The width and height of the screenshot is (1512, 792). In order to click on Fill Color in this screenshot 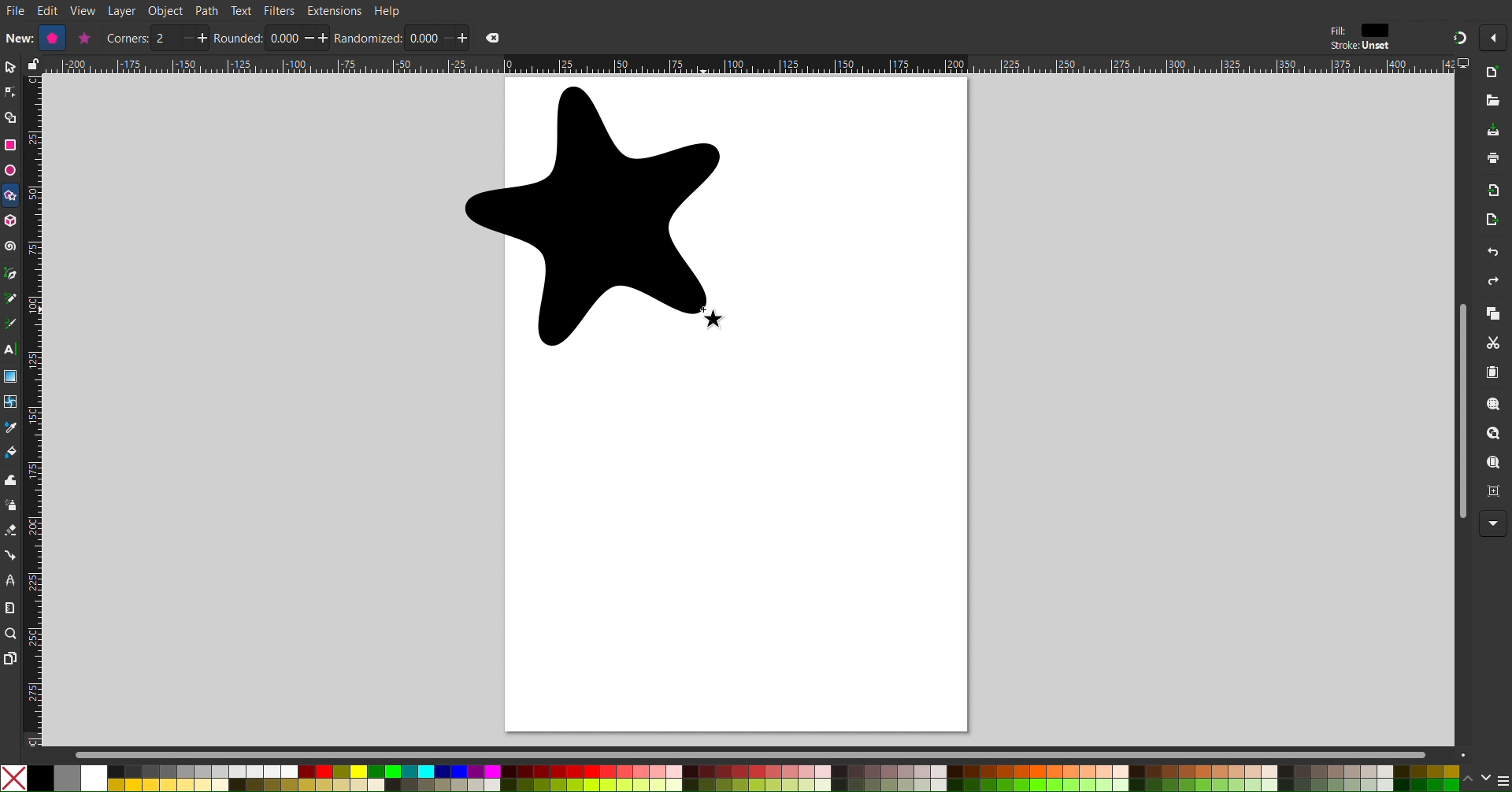, I will do `click(11, 455)`.